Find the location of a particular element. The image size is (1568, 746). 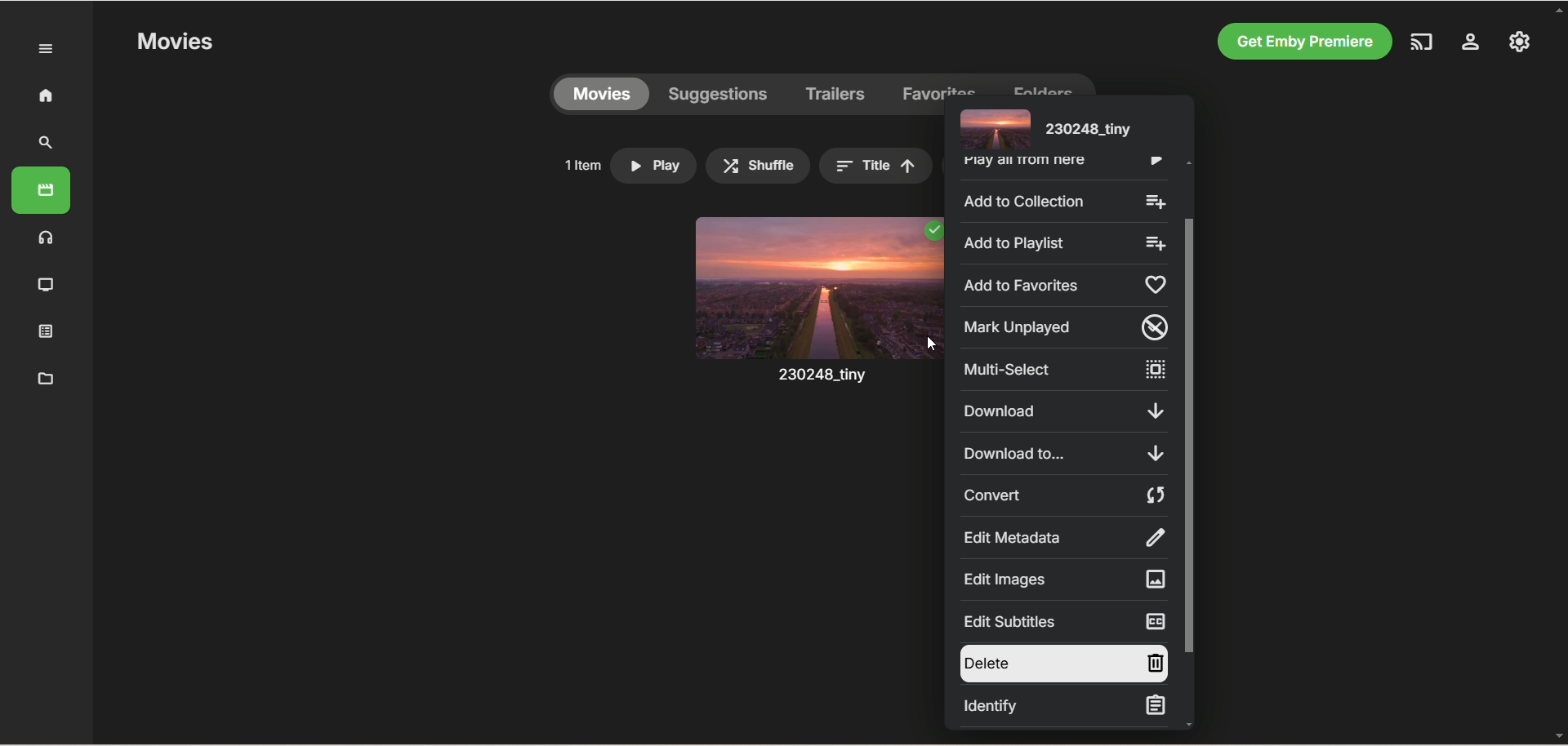

trailers is located at coordinates (836, 95).